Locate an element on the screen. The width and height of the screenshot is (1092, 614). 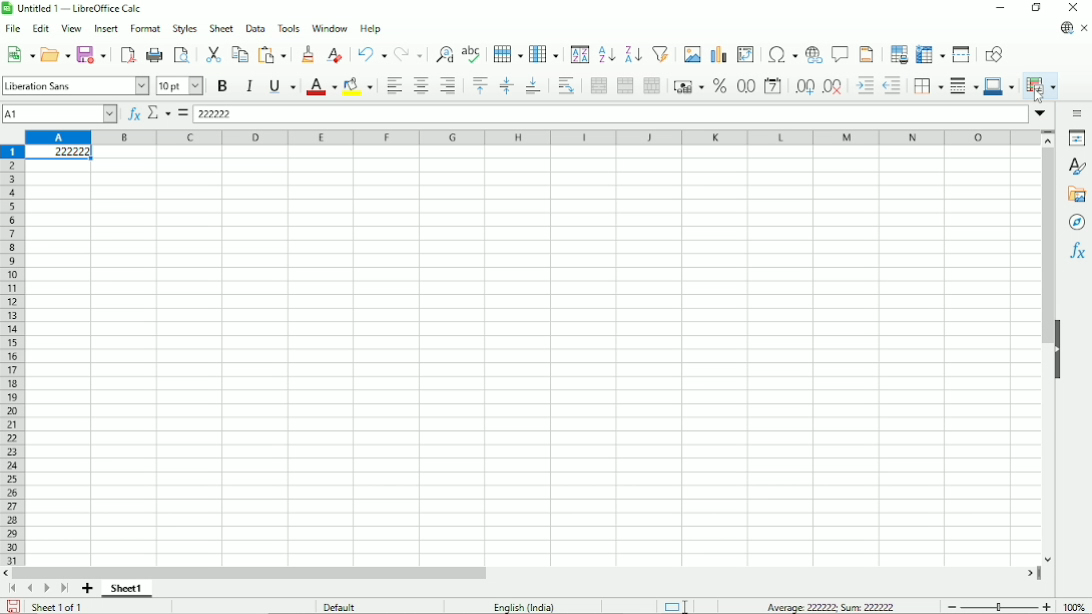
Language is located at coordinates (528, 606).